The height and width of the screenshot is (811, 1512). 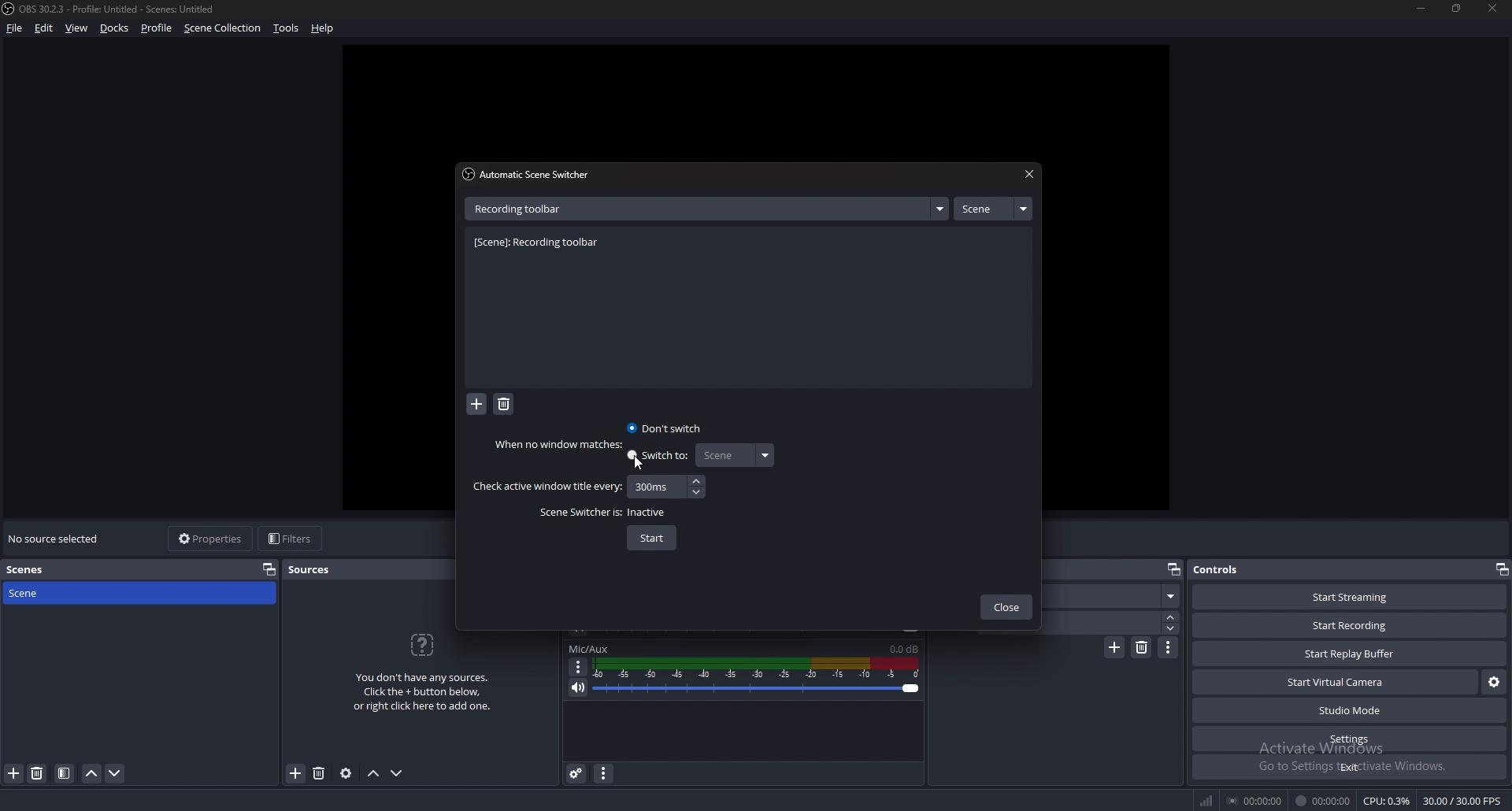 I want to click on expand, so click(x=939, y=209).